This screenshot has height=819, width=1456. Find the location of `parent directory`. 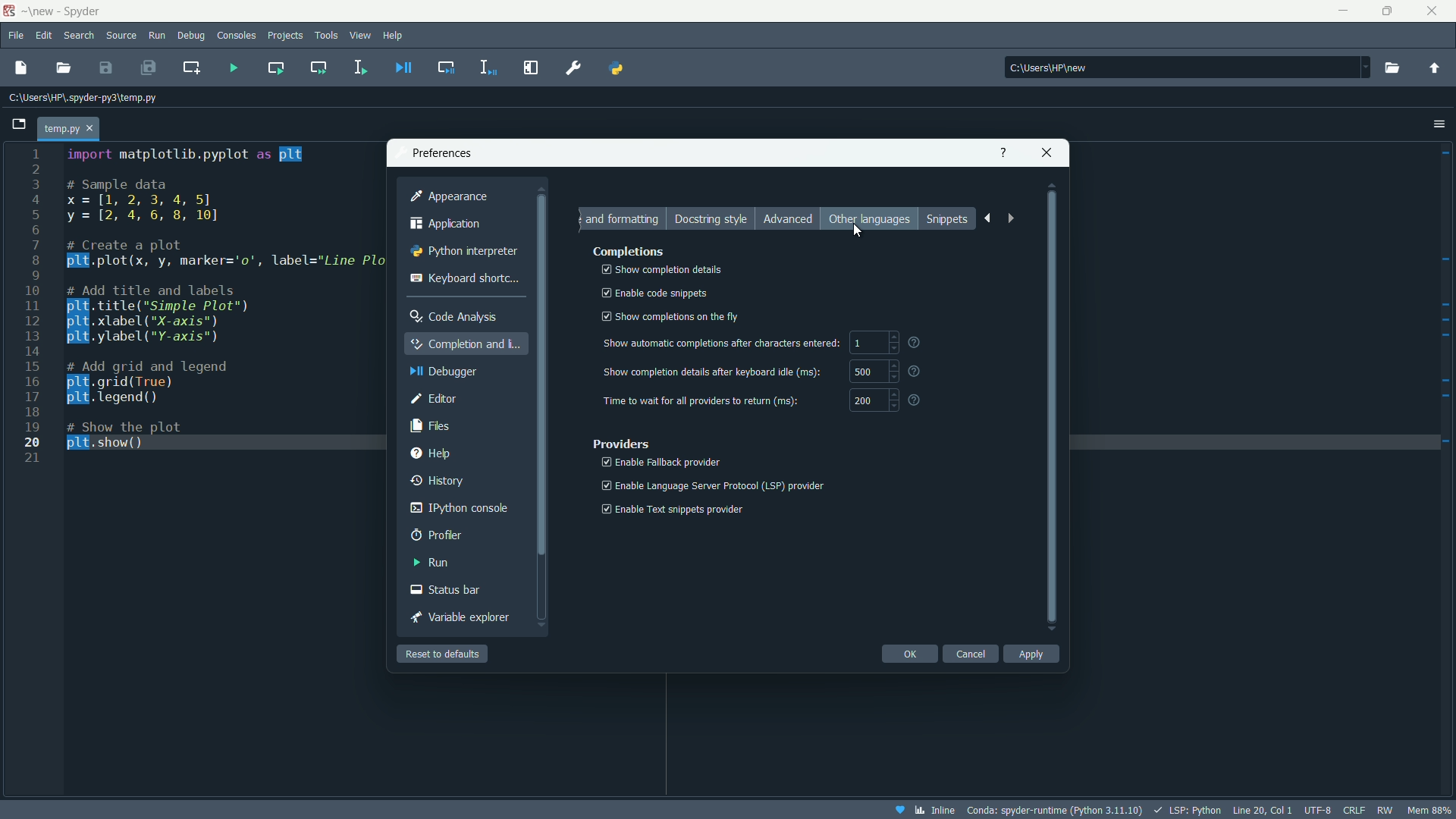

parent directory is located at coordinates (1434, 67).